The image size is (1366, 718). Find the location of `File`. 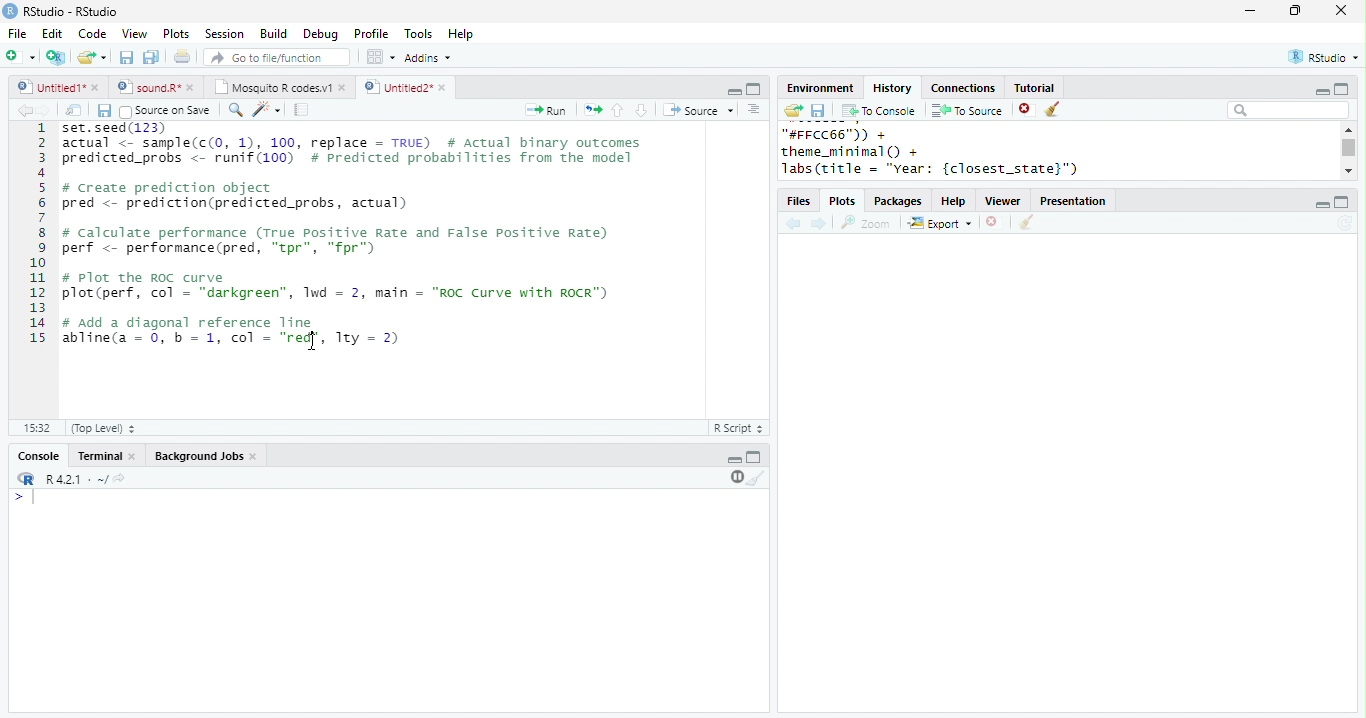

File is located at coordinates (17, 34).